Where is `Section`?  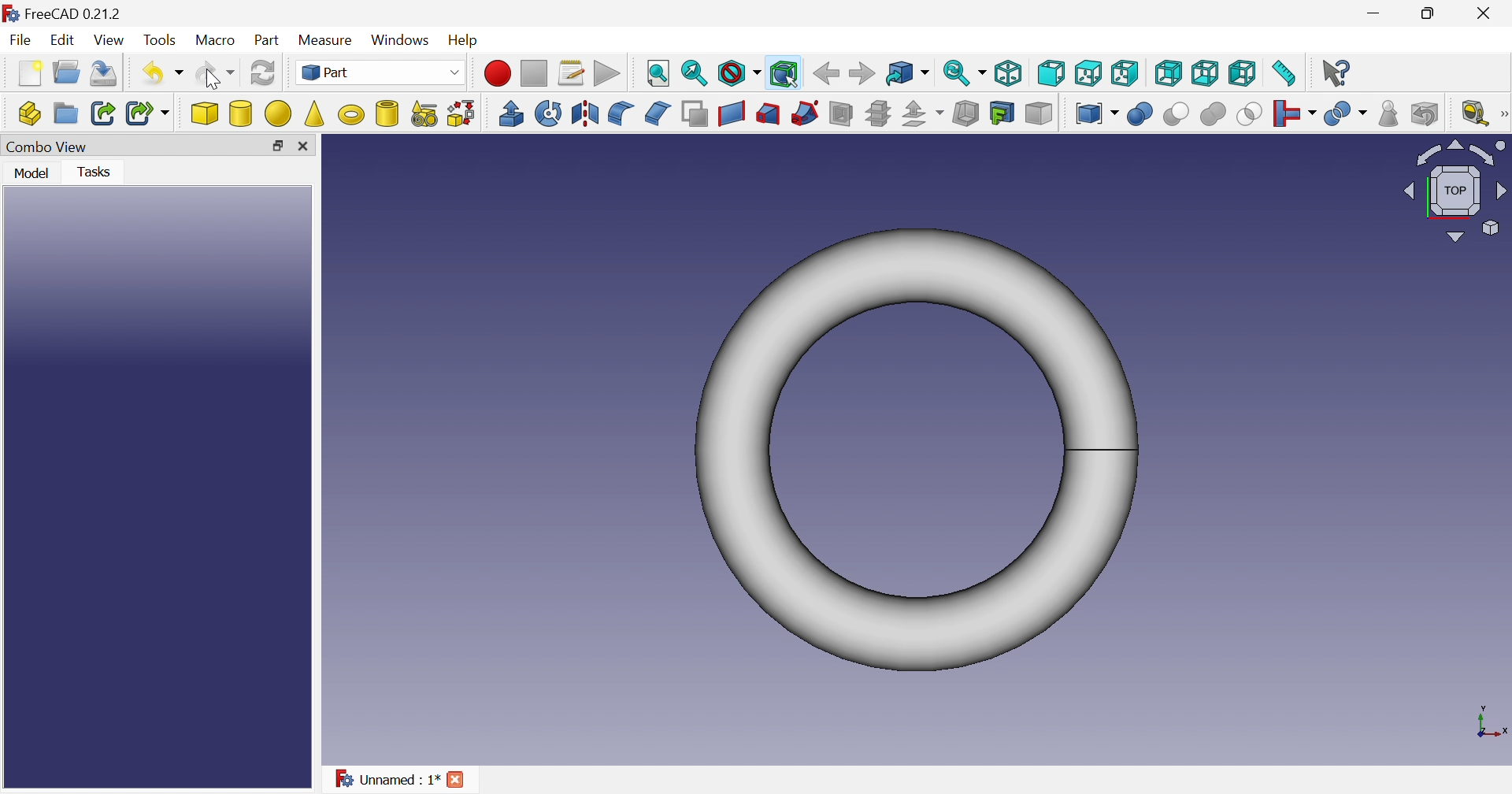
Section is located at coordinates (841, 114).